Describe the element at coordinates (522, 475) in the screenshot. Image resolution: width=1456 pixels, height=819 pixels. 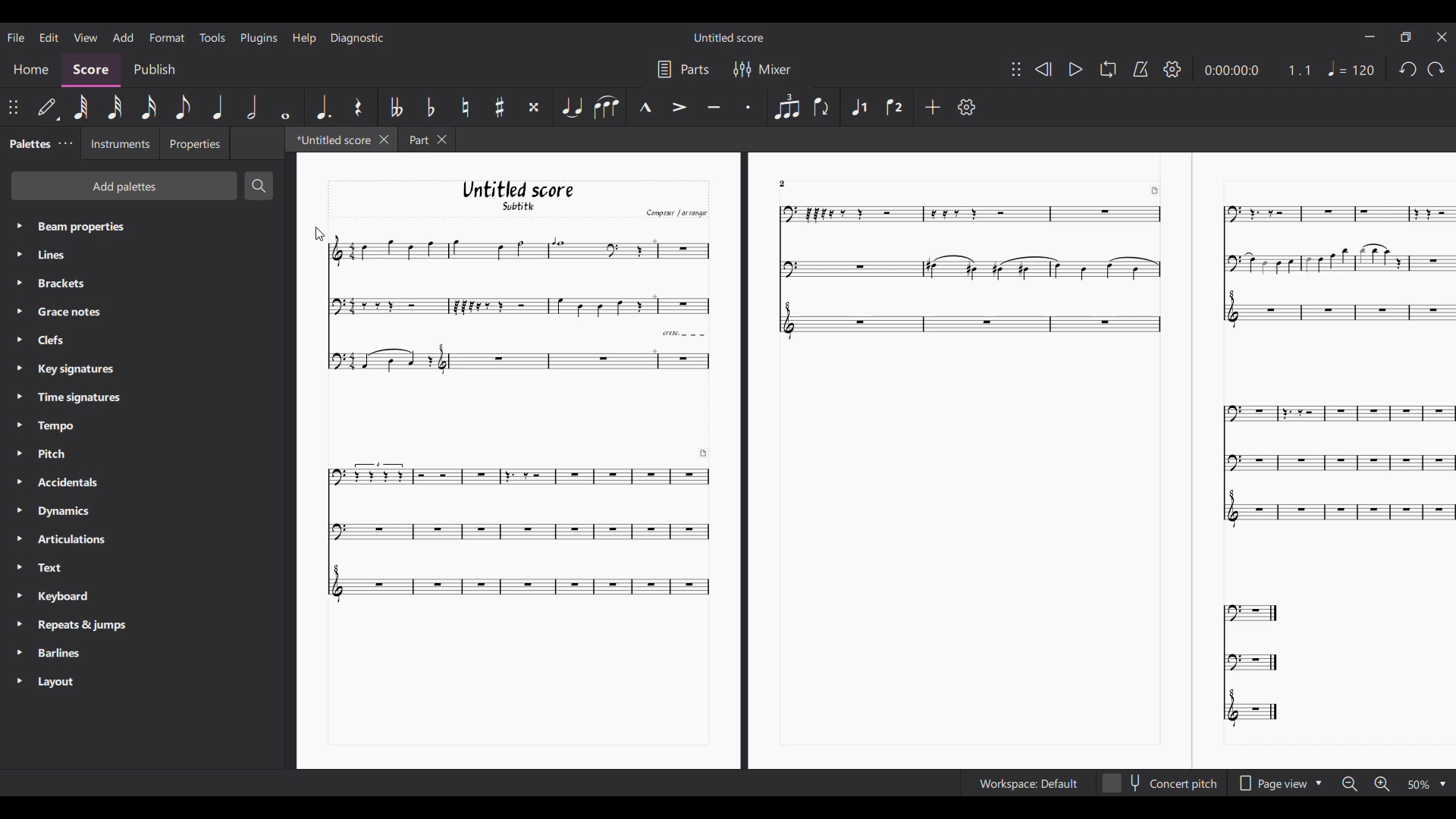
I see `` at that location.